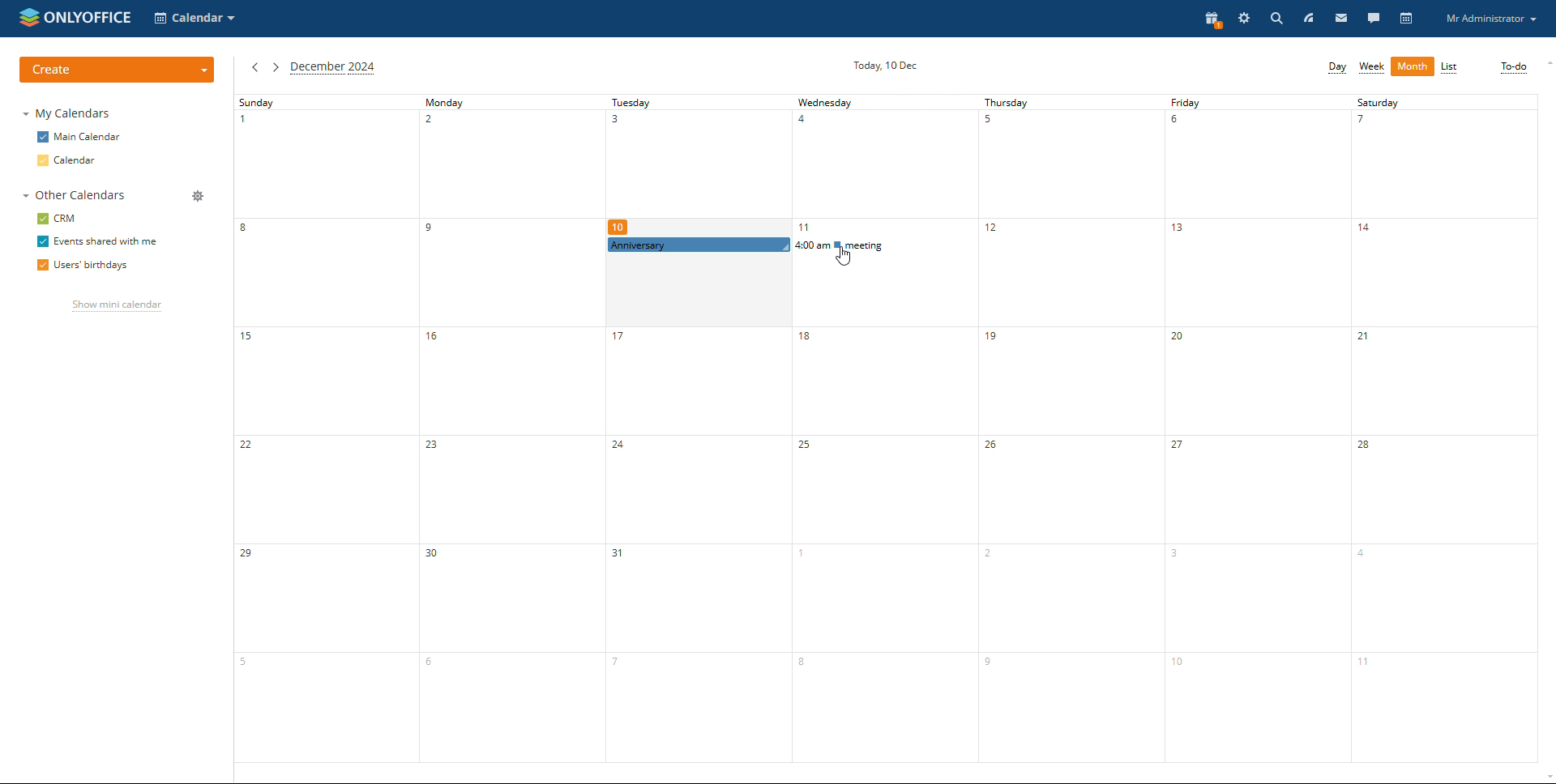 This screenshot has width=1556, height=784. What do you see at coordinates (68, 114) in the screenshot?
I see `my calendars` at bounding box center [68, 114].